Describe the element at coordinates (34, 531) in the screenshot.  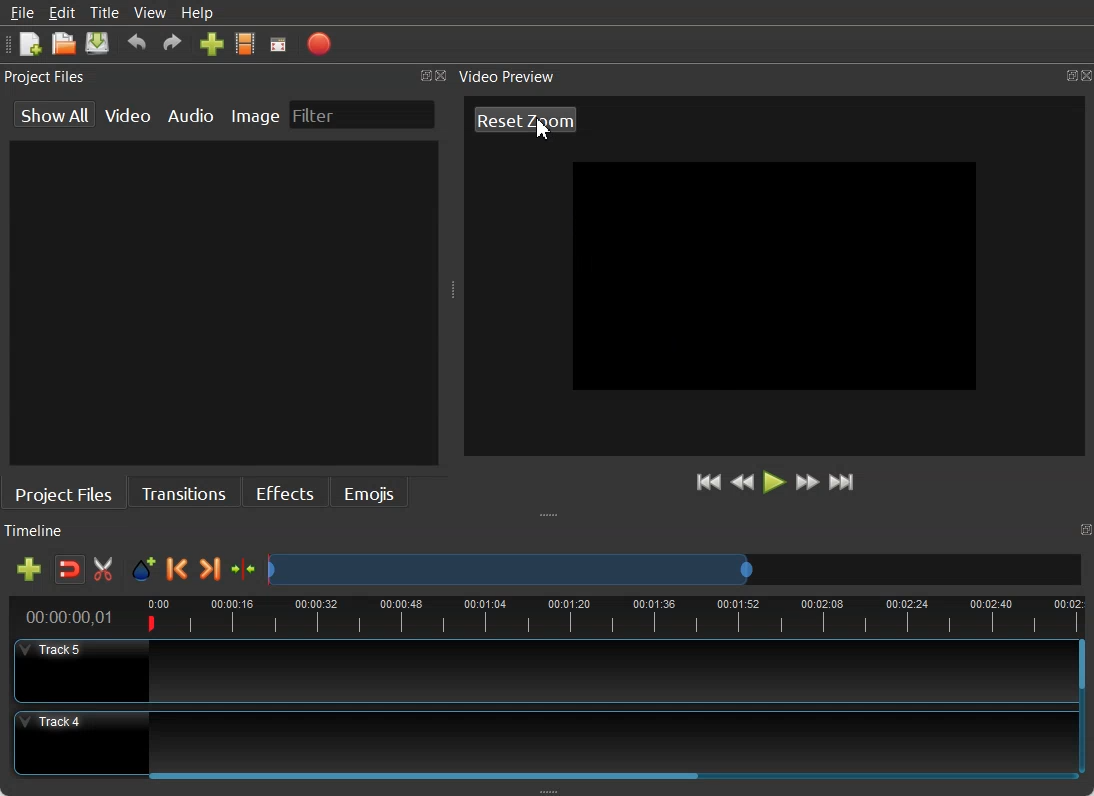
I see `Timeline` at that location.